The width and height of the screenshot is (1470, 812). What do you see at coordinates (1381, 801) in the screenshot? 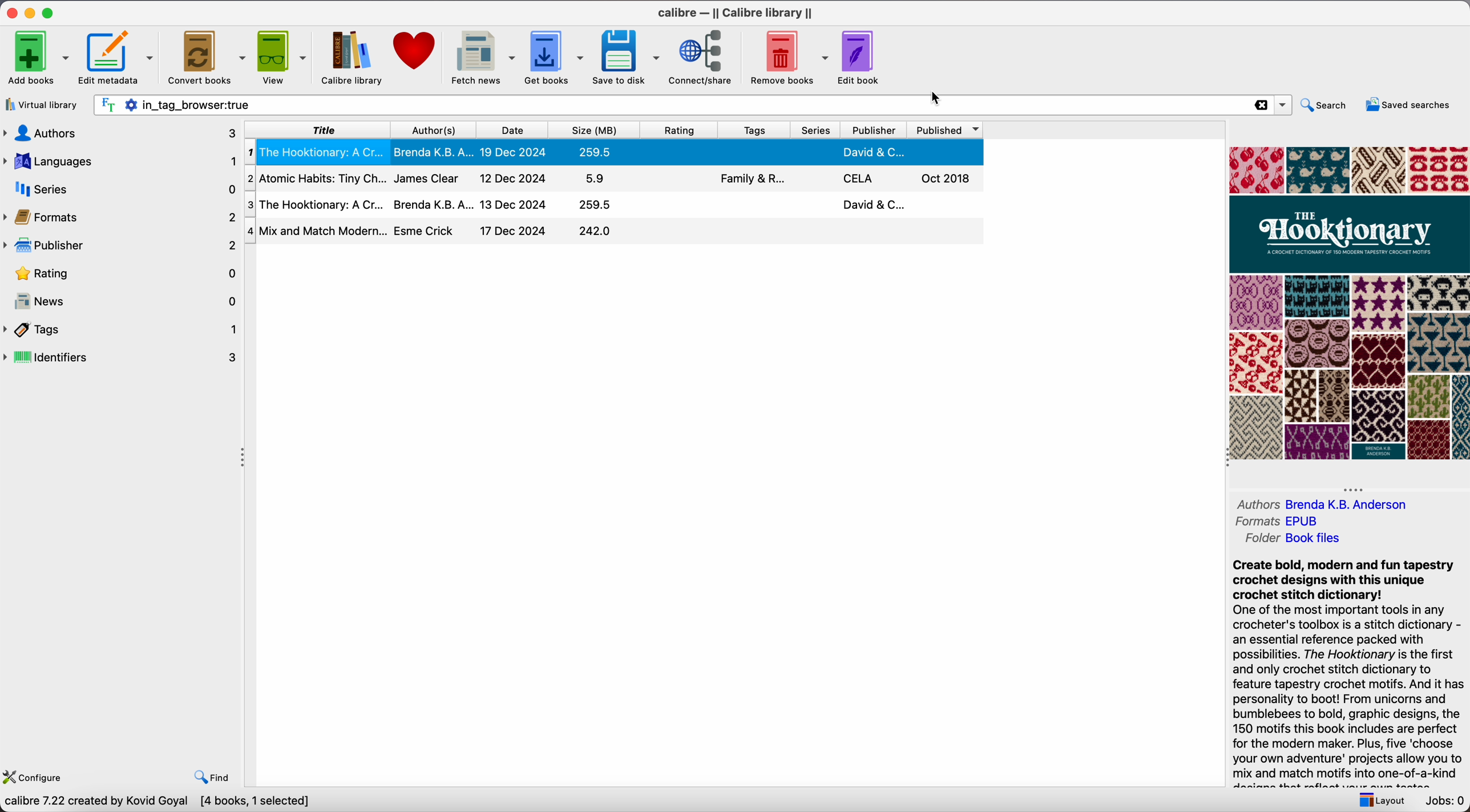
I see `layout` at bounding box center [1381, 801].